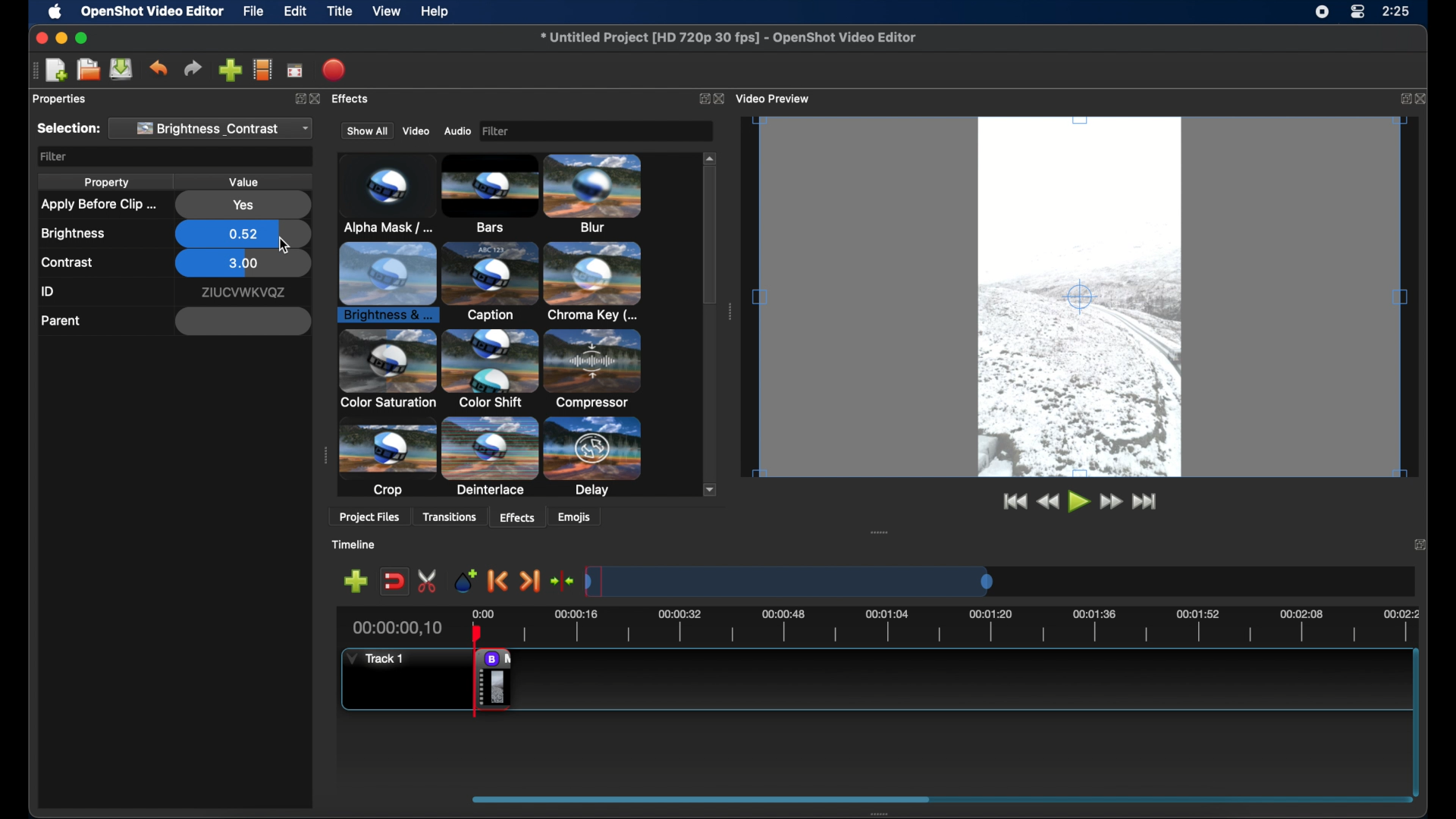 Image resolution: width=1456 pixels, height=819 pixels. I want to click on video, so click(416, 130).